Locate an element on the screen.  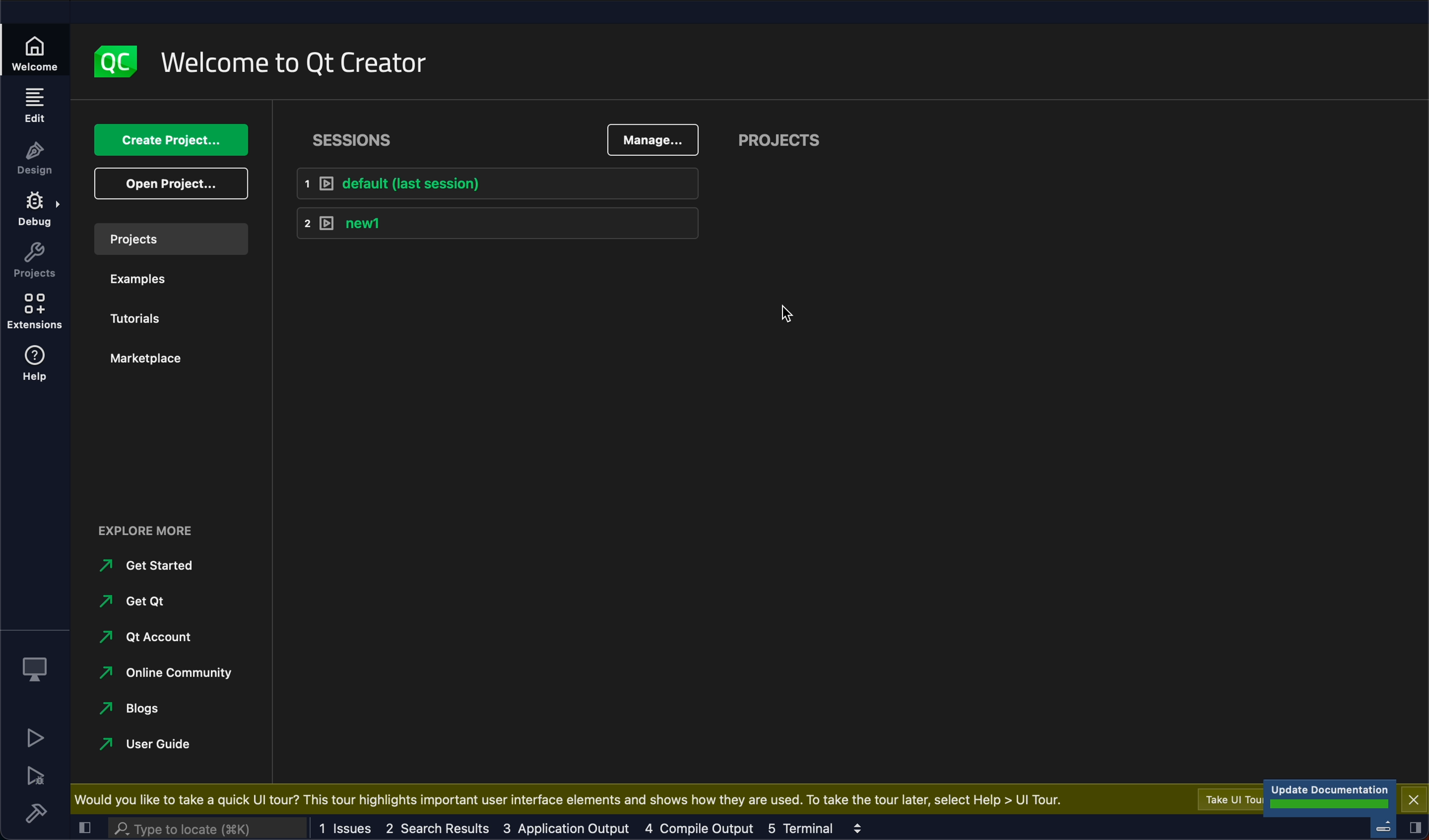
edit is located at coordinates (34, 105).